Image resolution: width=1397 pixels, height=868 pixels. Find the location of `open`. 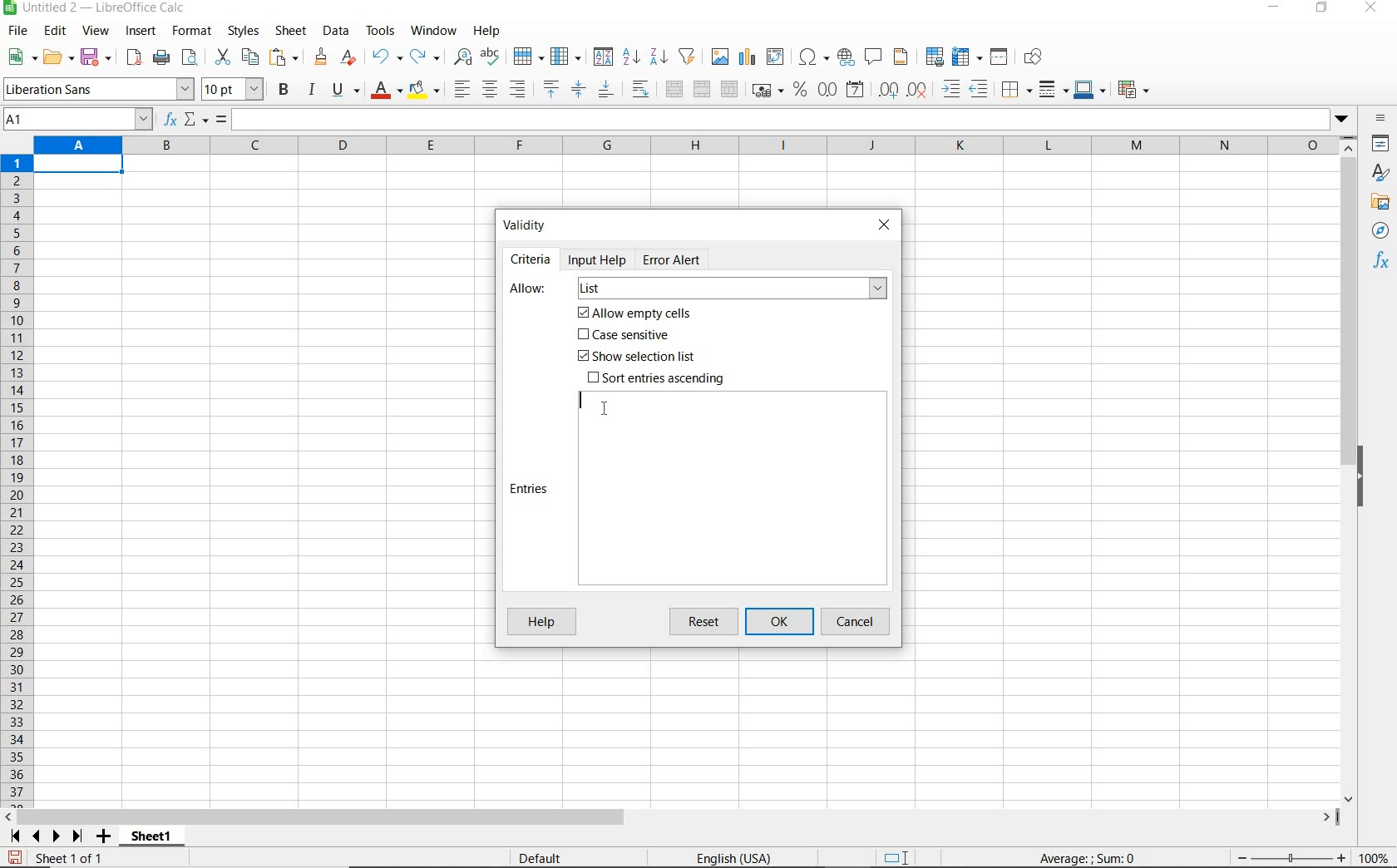

open is located at coordinates (57, 57).